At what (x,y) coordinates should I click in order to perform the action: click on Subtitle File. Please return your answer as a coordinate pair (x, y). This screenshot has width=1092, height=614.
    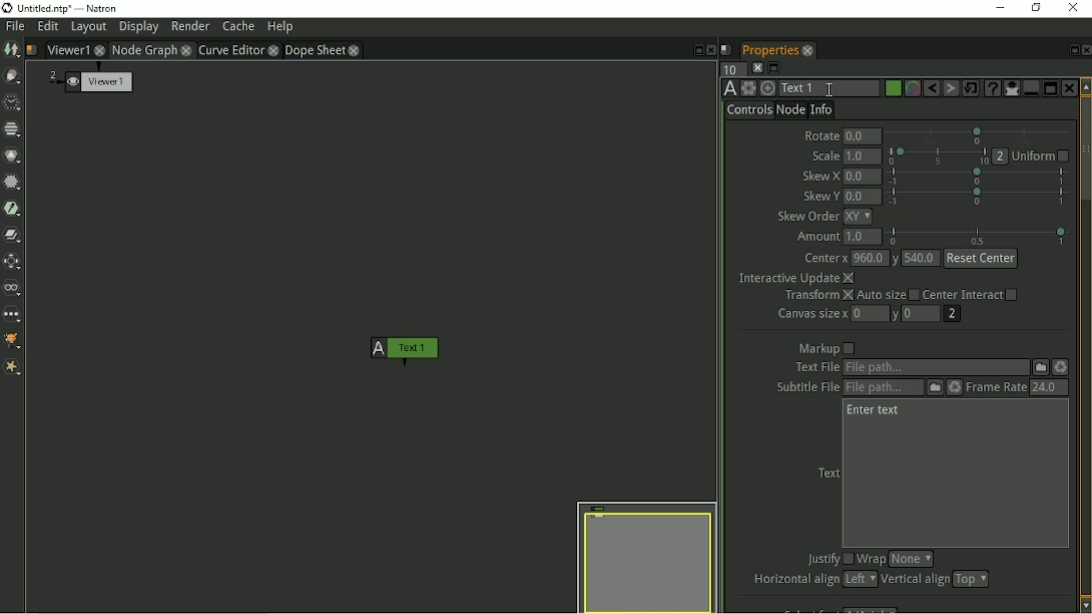
    Looking at the image, I should click on (882, 388).